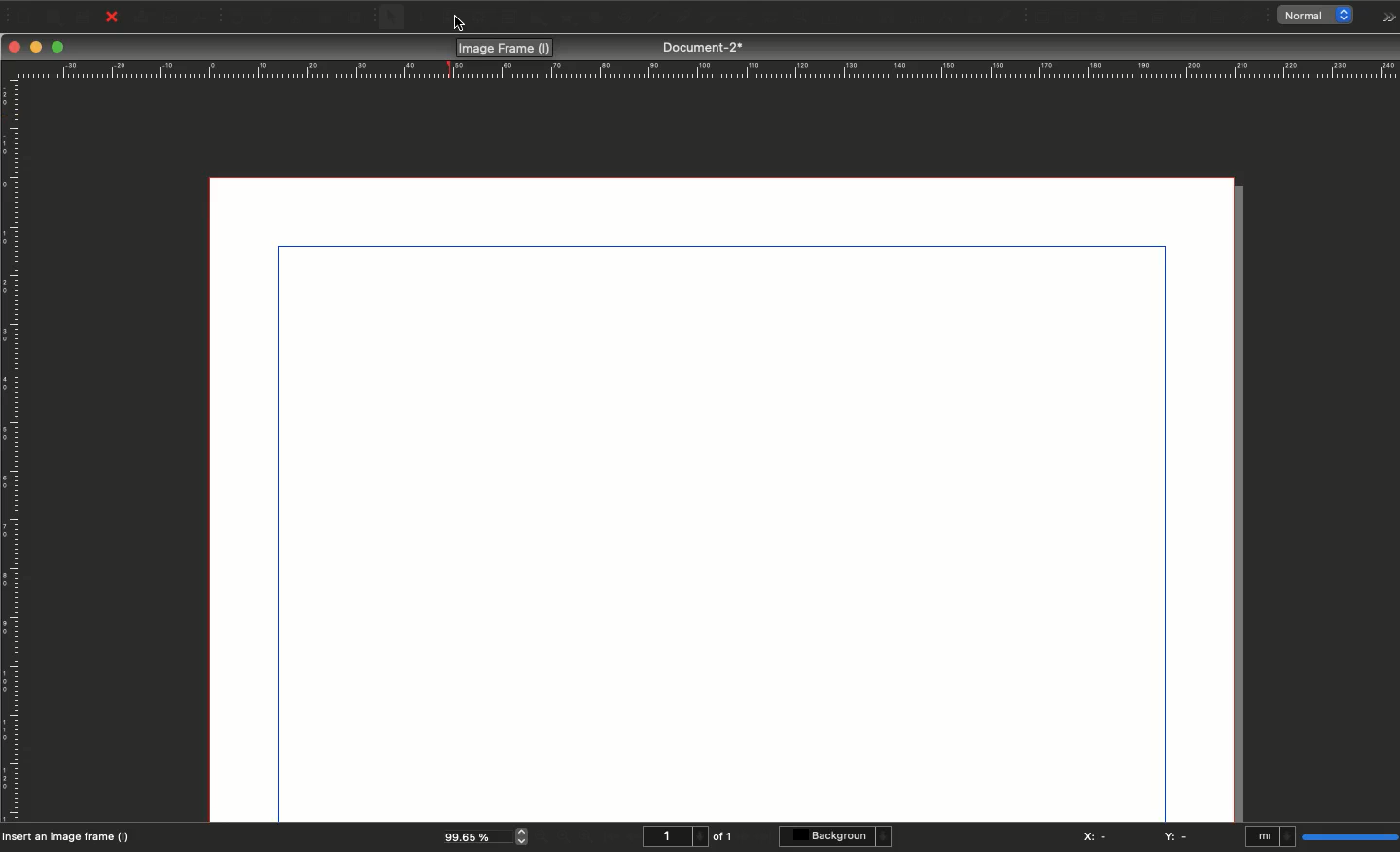  I want to click on Close, so click(112, 18).